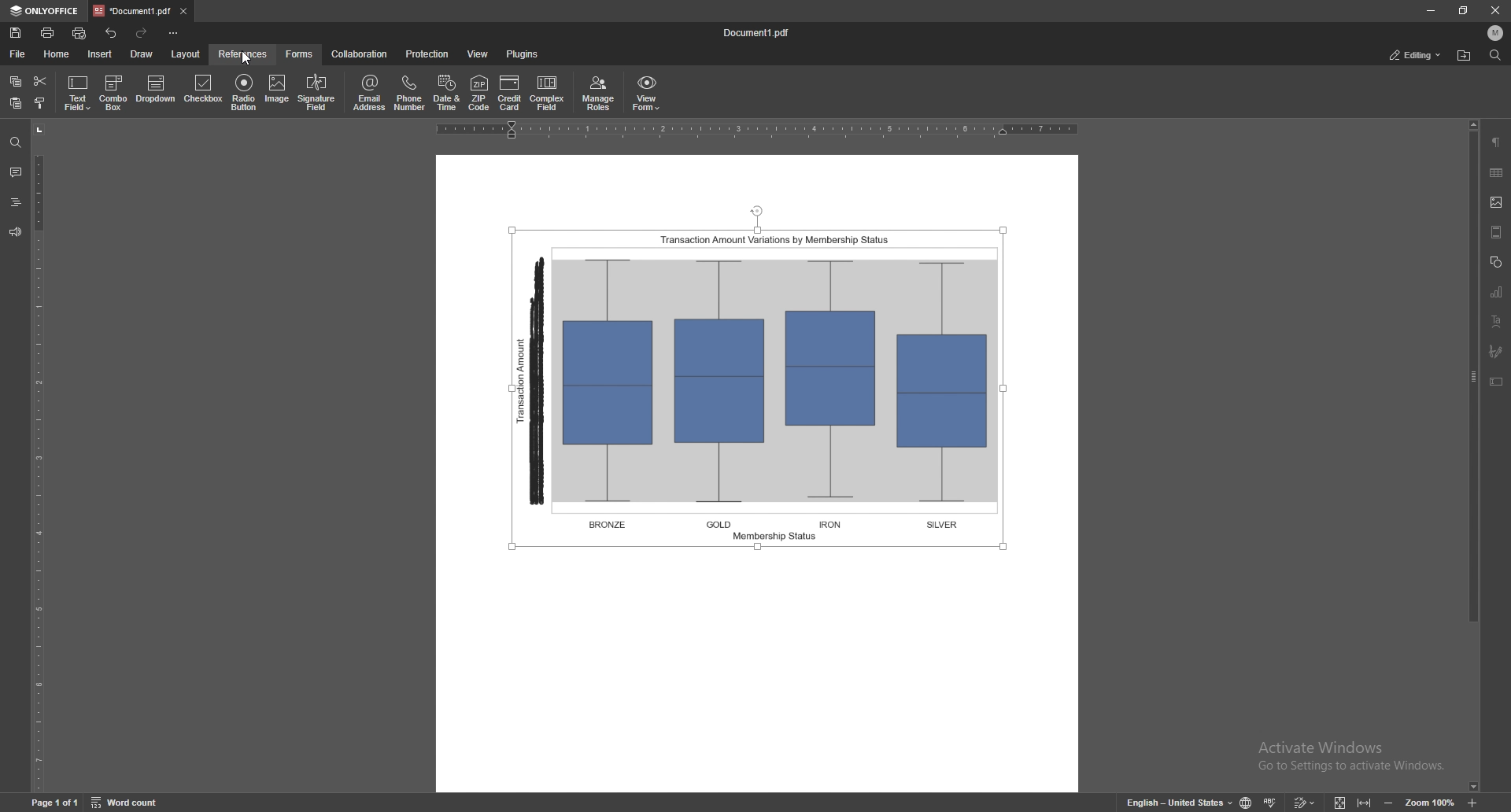 This screenshot has width=1511, height=812. Describe the element at coordinates (112, 34) in the screenshot. I see `undo` at that location.